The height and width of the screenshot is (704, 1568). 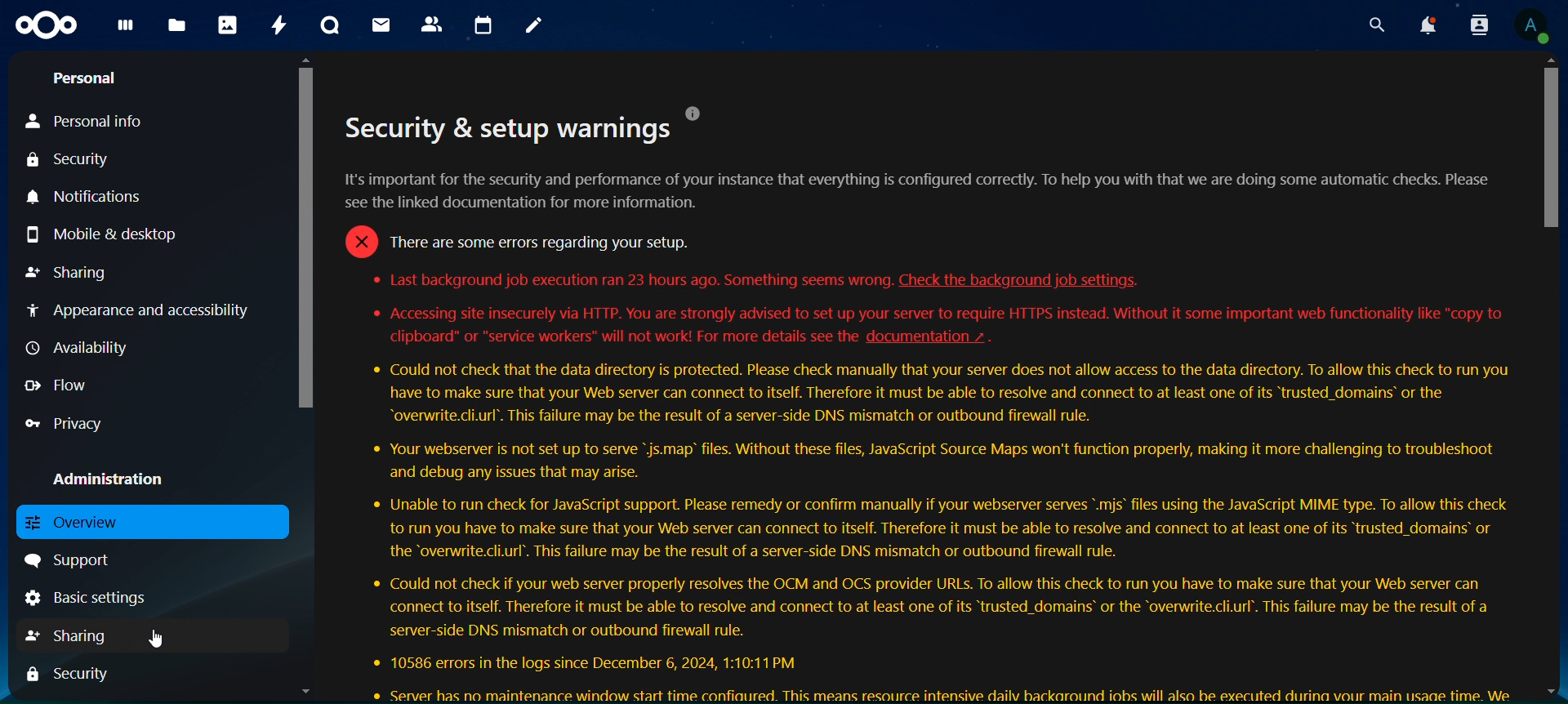 What do you see at coordinates (278, 26) in the screenshot?
I see `activity` at bounding box center [278, 26].